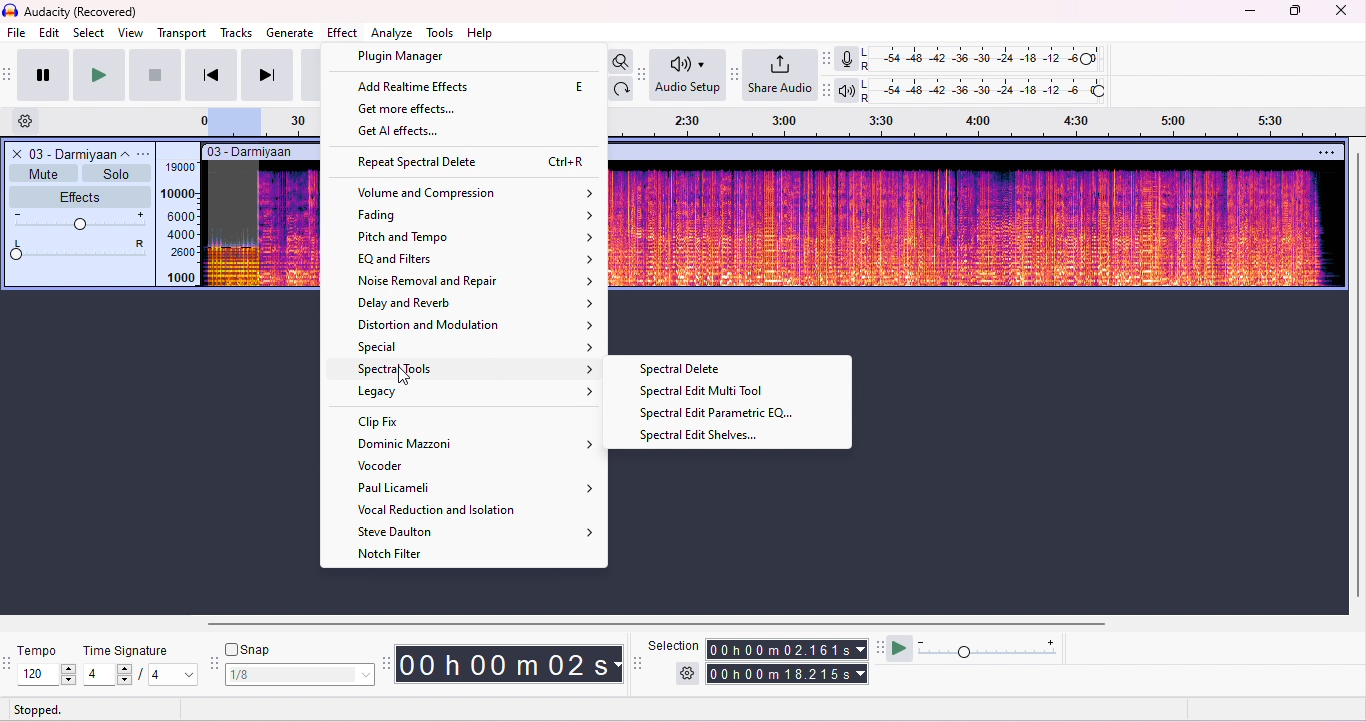 The width and height of the screenshot is (1366, 722). Describe the element at coordinates (1294, 13) in the screenshot. I see `maximize` at that location.